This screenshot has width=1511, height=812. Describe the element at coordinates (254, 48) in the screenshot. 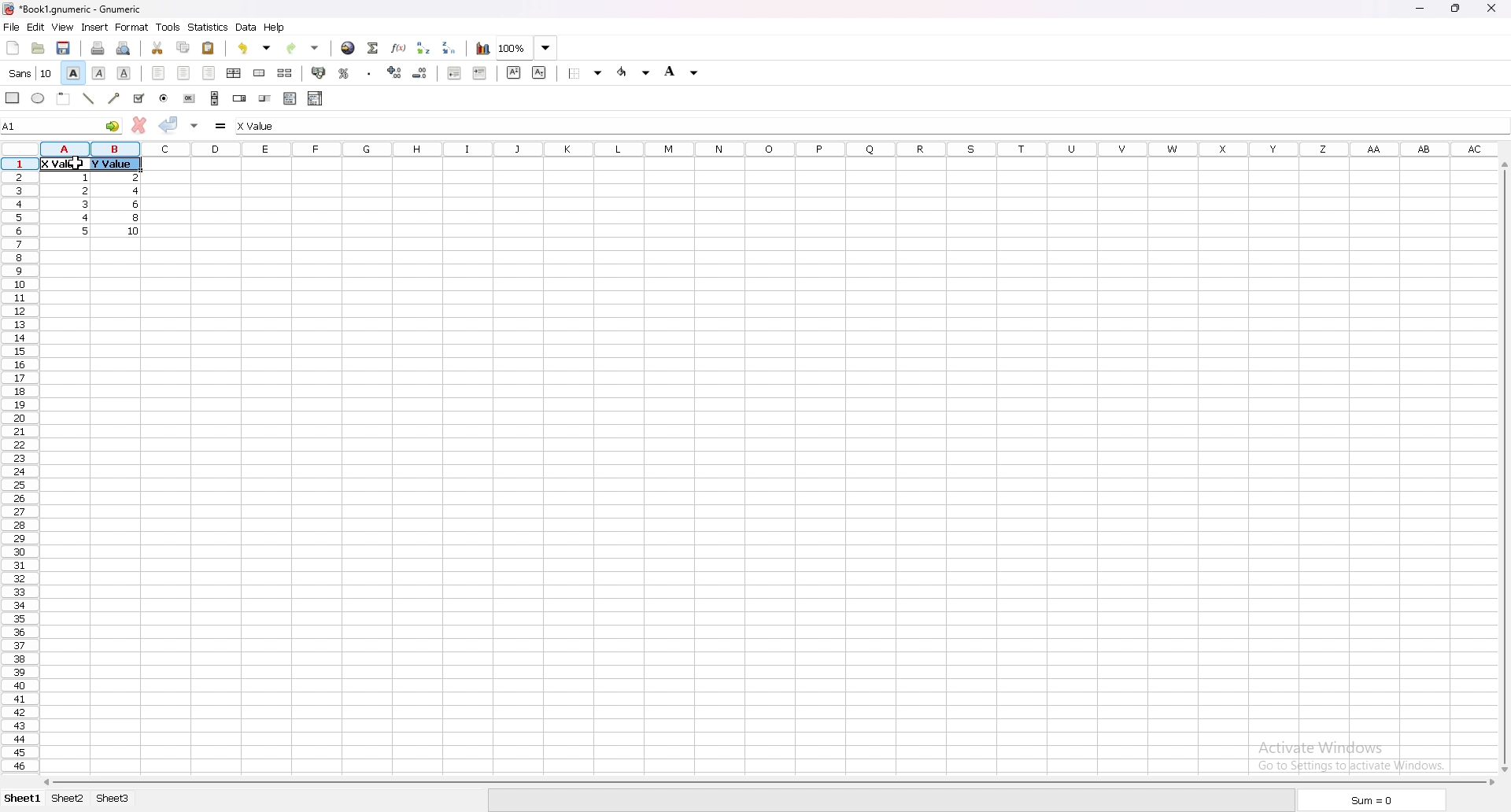

I see `undo` at that location.